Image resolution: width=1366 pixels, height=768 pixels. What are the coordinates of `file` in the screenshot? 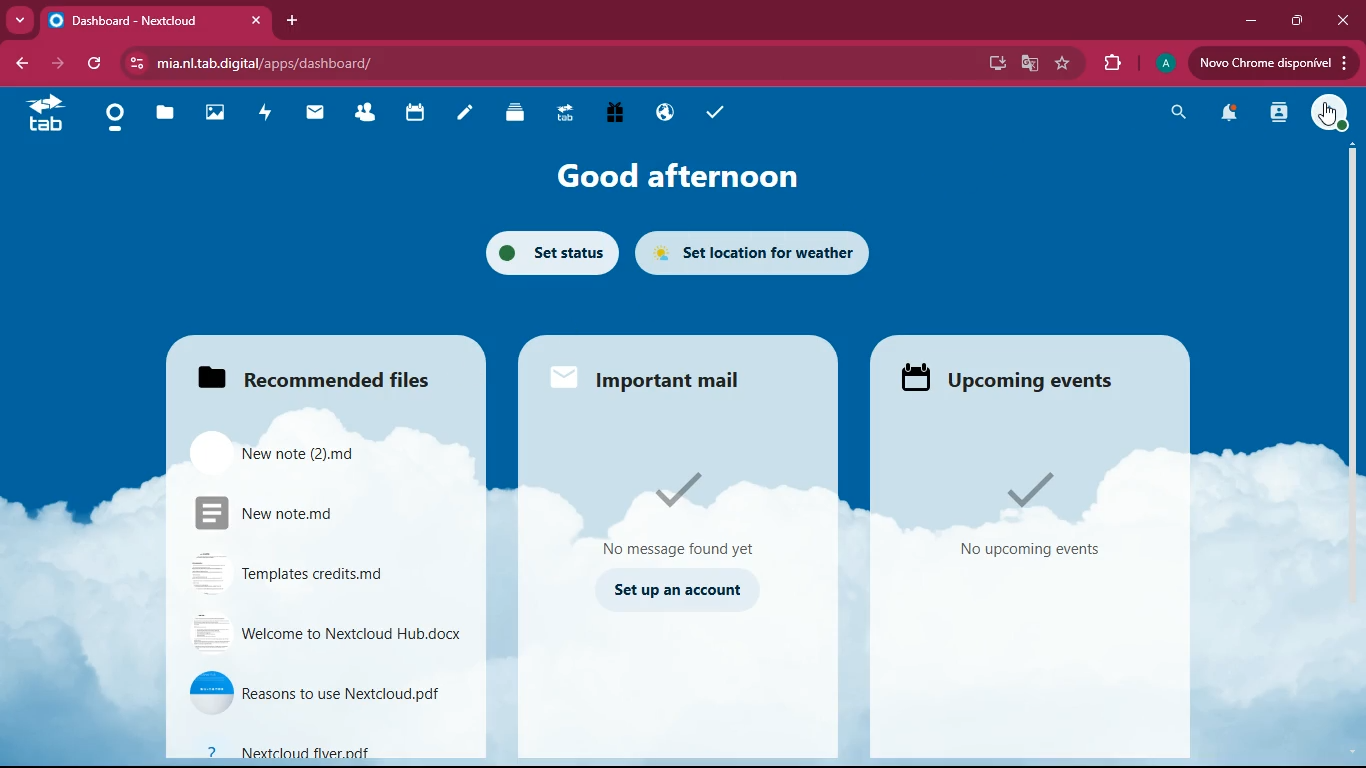 It's located at (308, 449).